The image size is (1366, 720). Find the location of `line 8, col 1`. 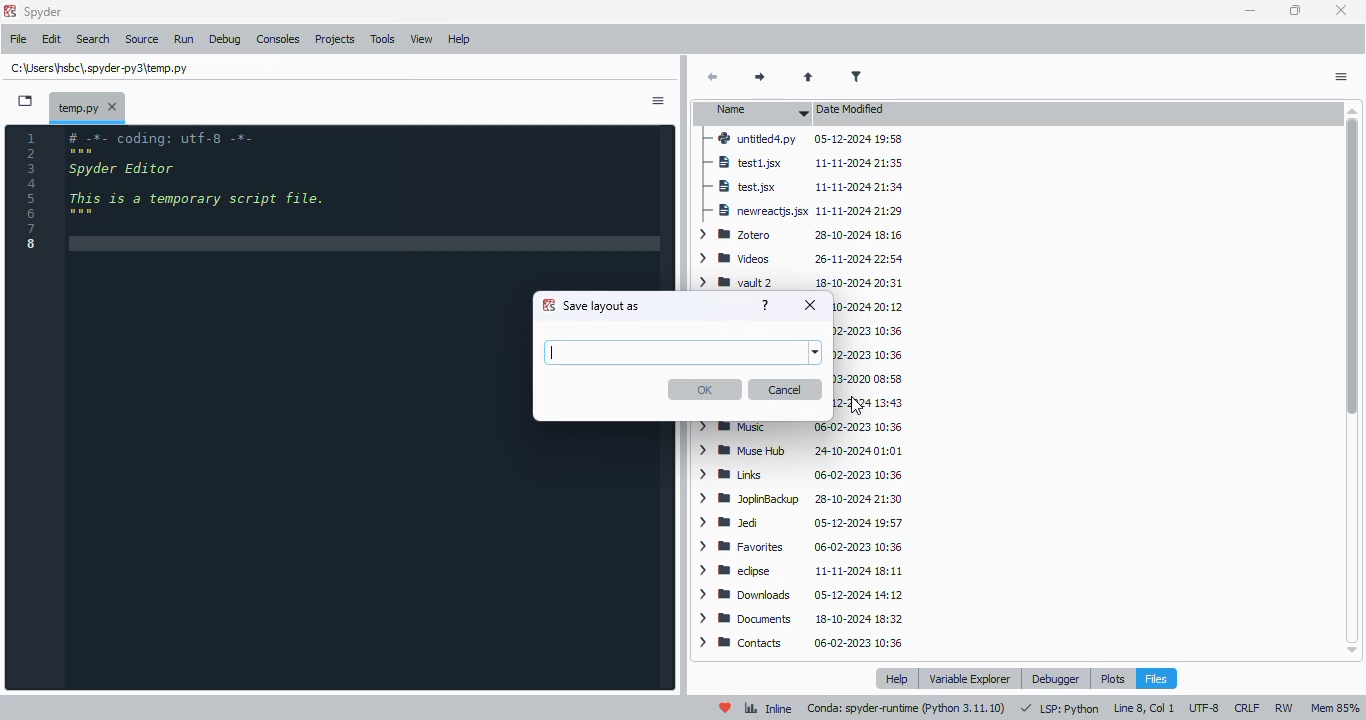

line 8, col 1 is located at coordinates (1145, 708).